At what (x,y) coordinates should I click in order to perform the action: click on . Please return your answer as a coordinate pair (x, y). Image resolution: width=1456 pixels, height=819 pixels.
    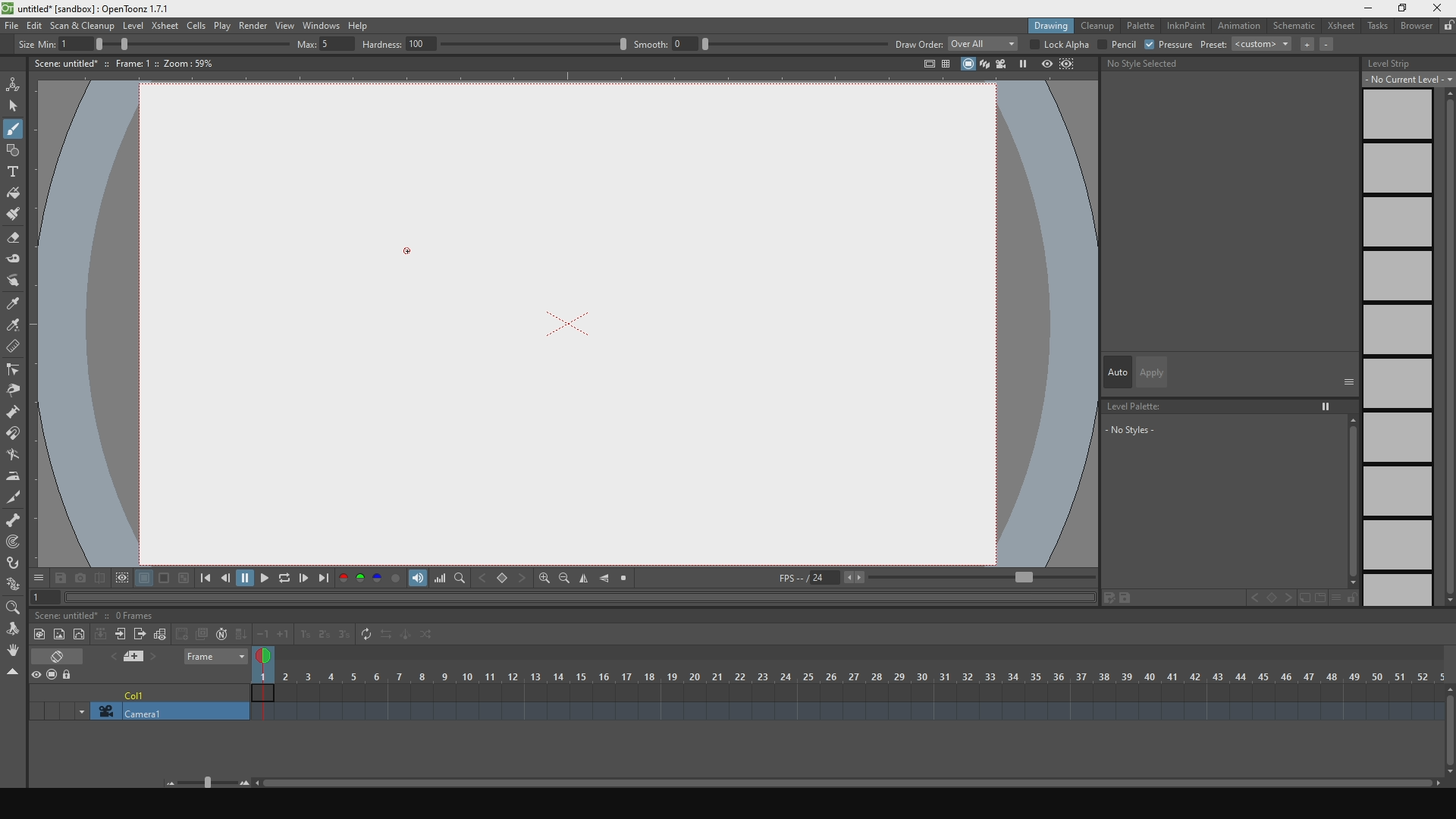
    Looking at the image, I should click on (1307, 45).